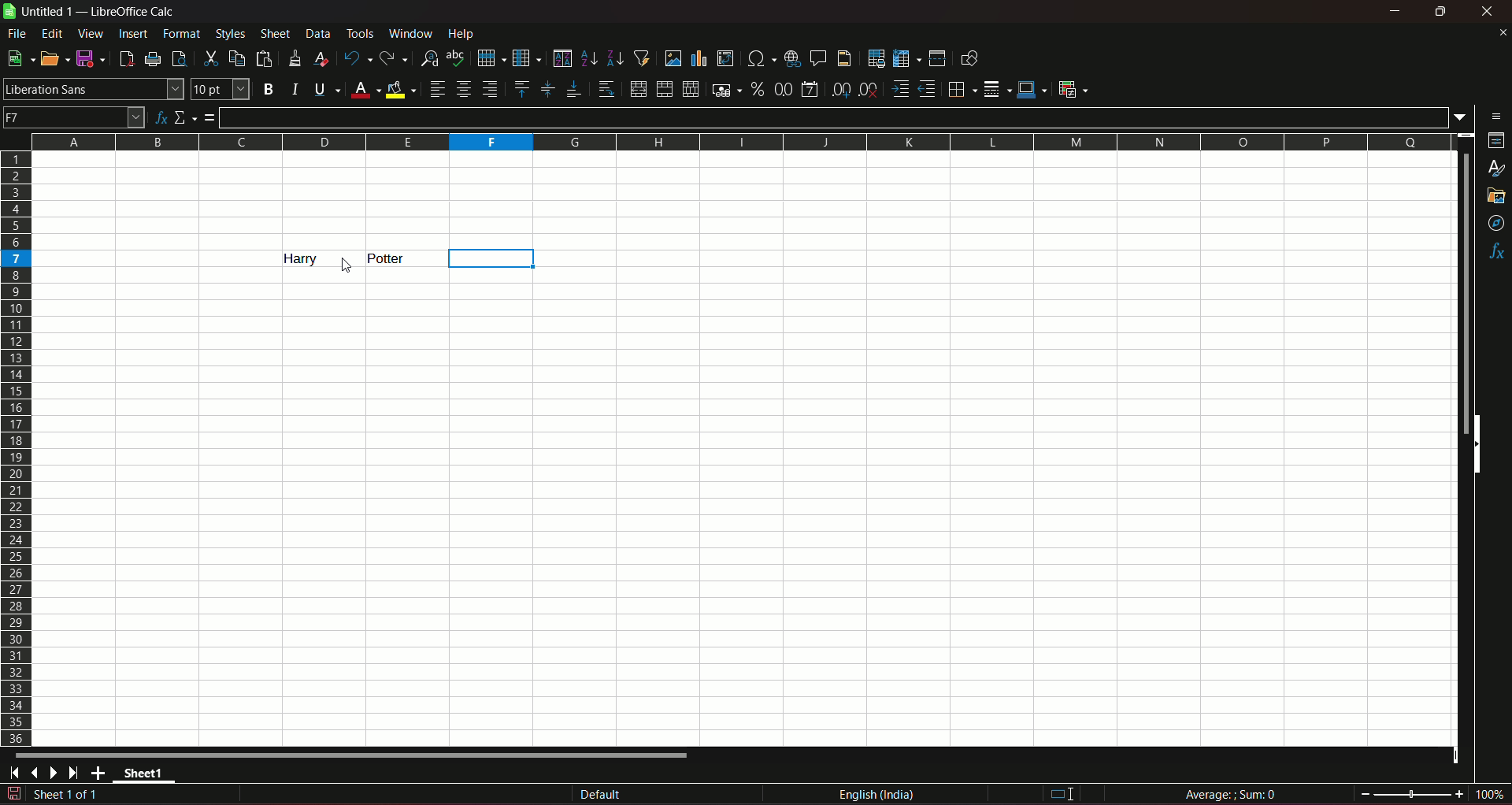  What do you see at coordinates (318, 33) in the screenshot?
I see `data` at bounding box center [318, 33].